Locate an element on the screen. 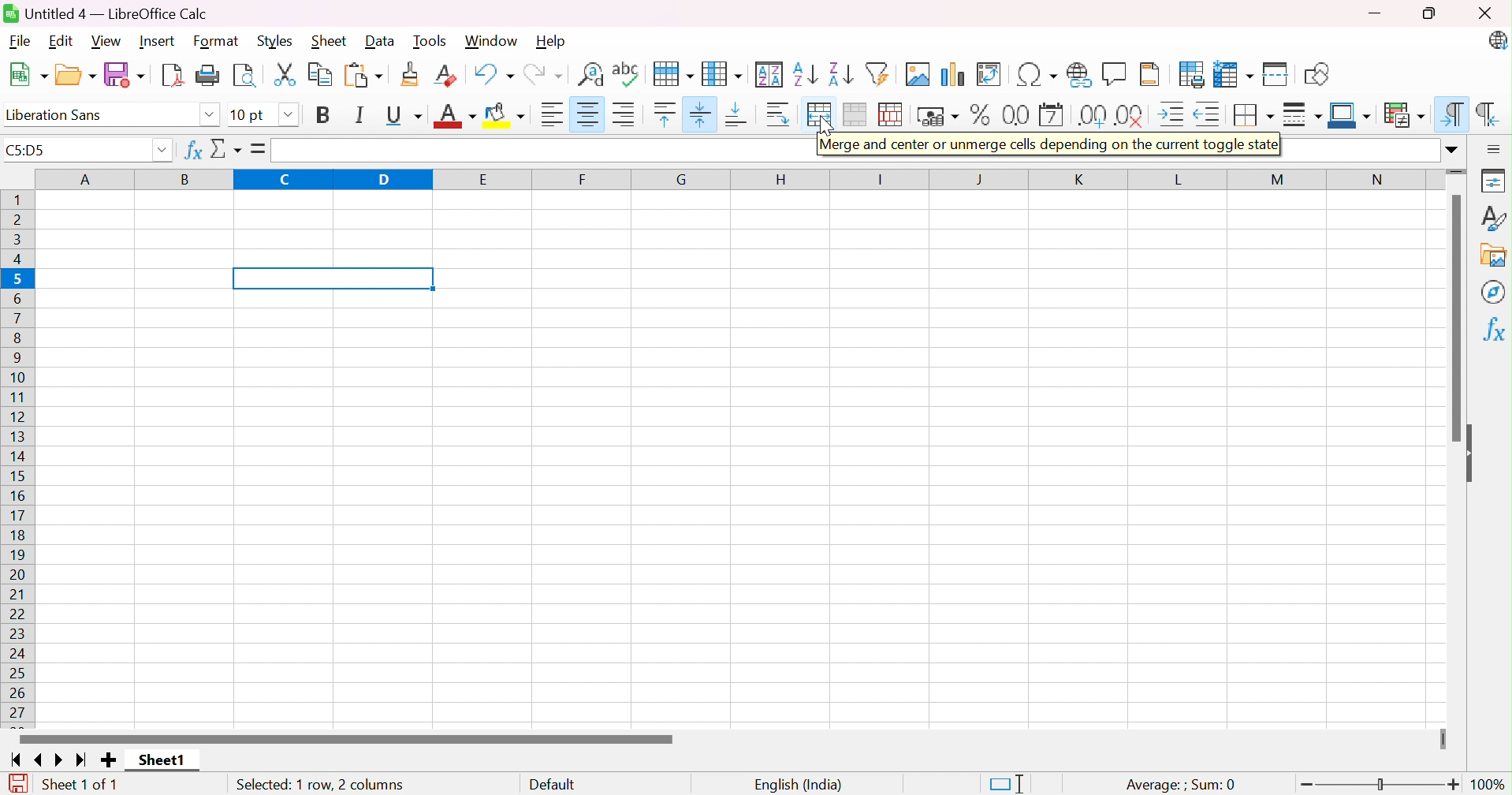 The width and height of the screenshot is (1512, 795). Scroll to last sheet is located at coordinates (84, 762).